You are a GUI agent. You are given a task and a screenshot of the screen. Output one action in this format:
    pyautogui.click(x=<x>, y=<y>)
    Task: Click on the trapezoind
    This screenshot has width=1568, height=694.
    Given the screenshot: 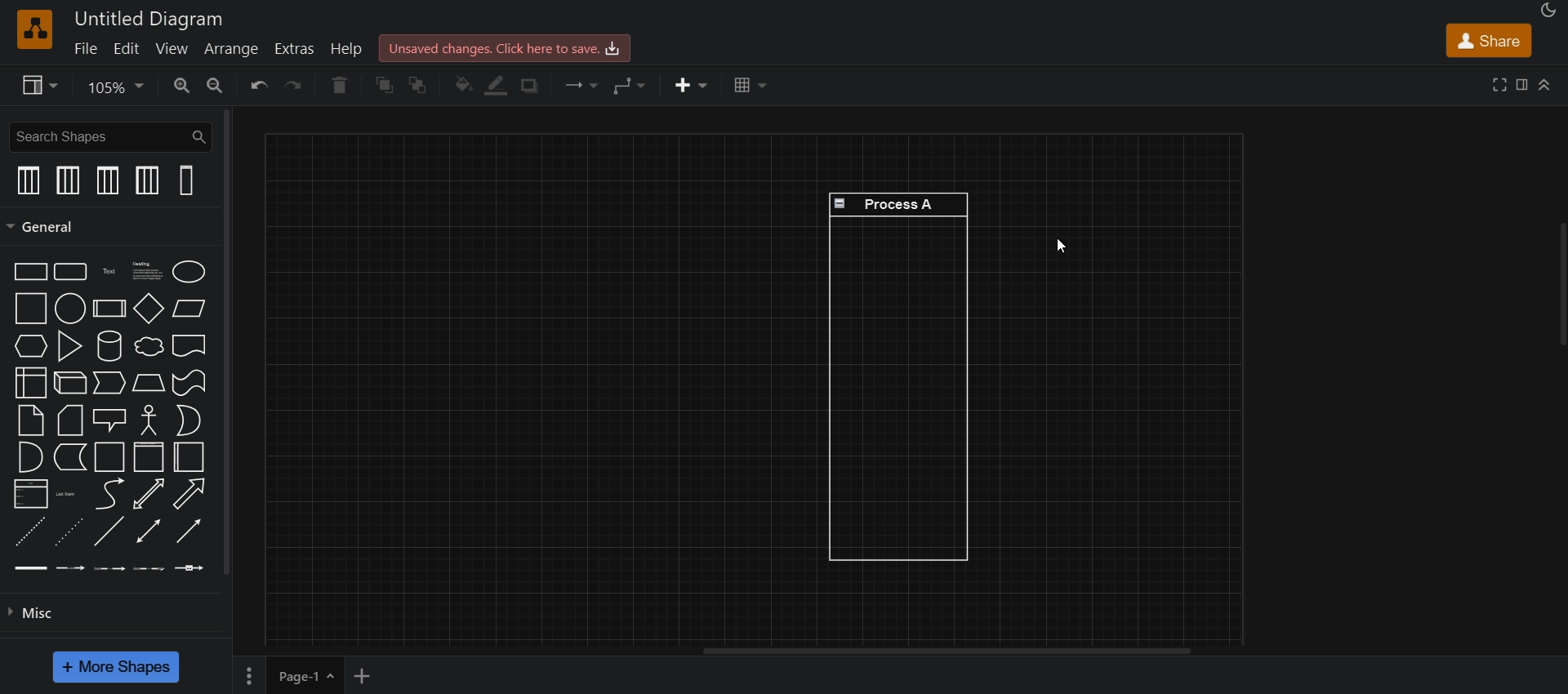 What is the action you would take?
    pyautogui.click(x=145, y=384)
    